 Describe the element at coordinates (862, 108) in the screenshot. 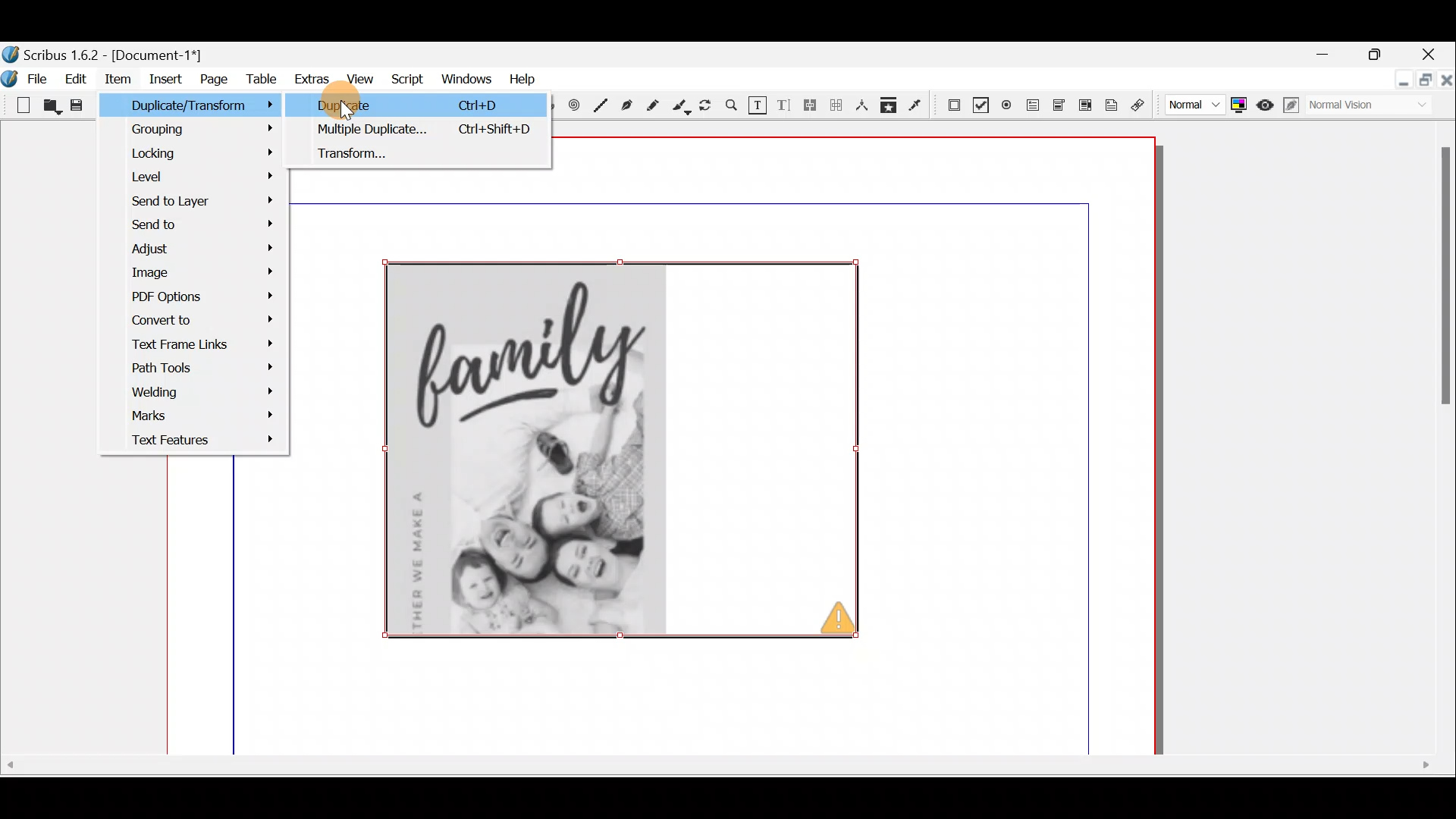

I see `Measurements` at that location.